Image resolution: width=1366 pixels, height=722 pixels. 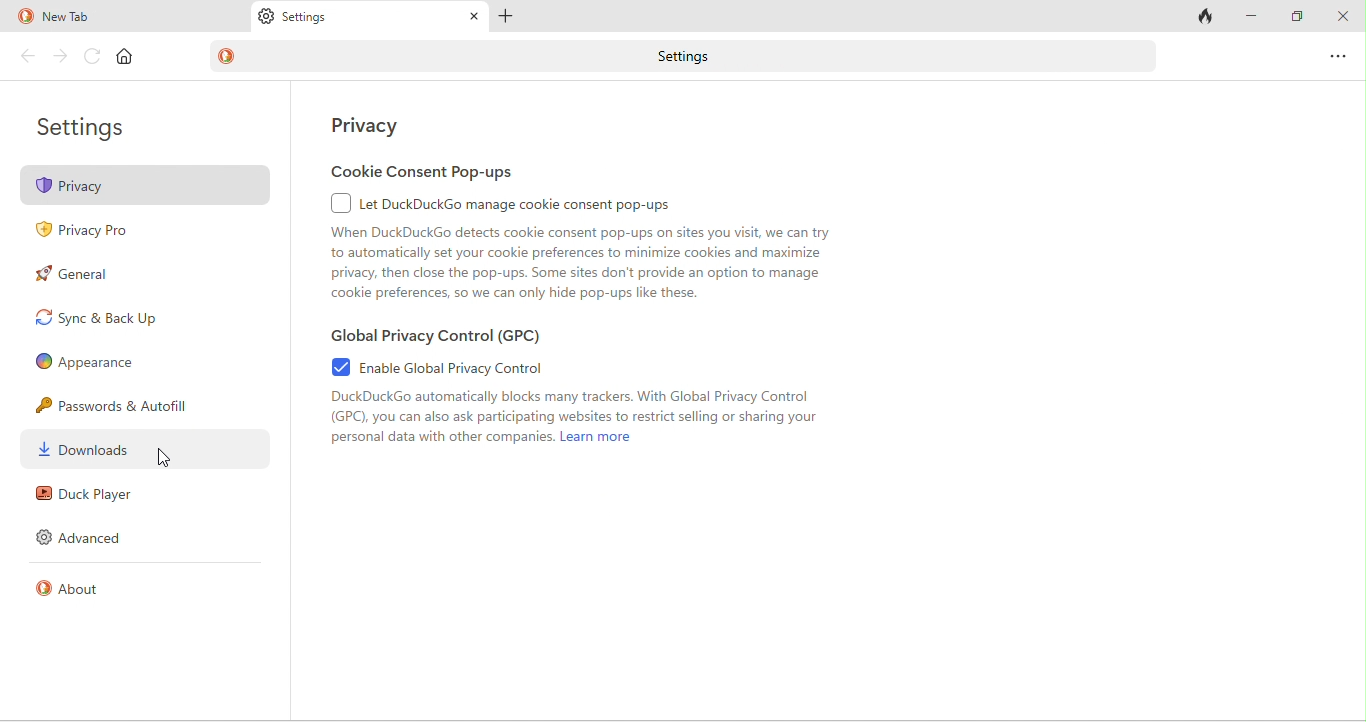 What do you see at coordinates (23, 57) in the screenshot?
I see `back` at bounding box center [23, 57].